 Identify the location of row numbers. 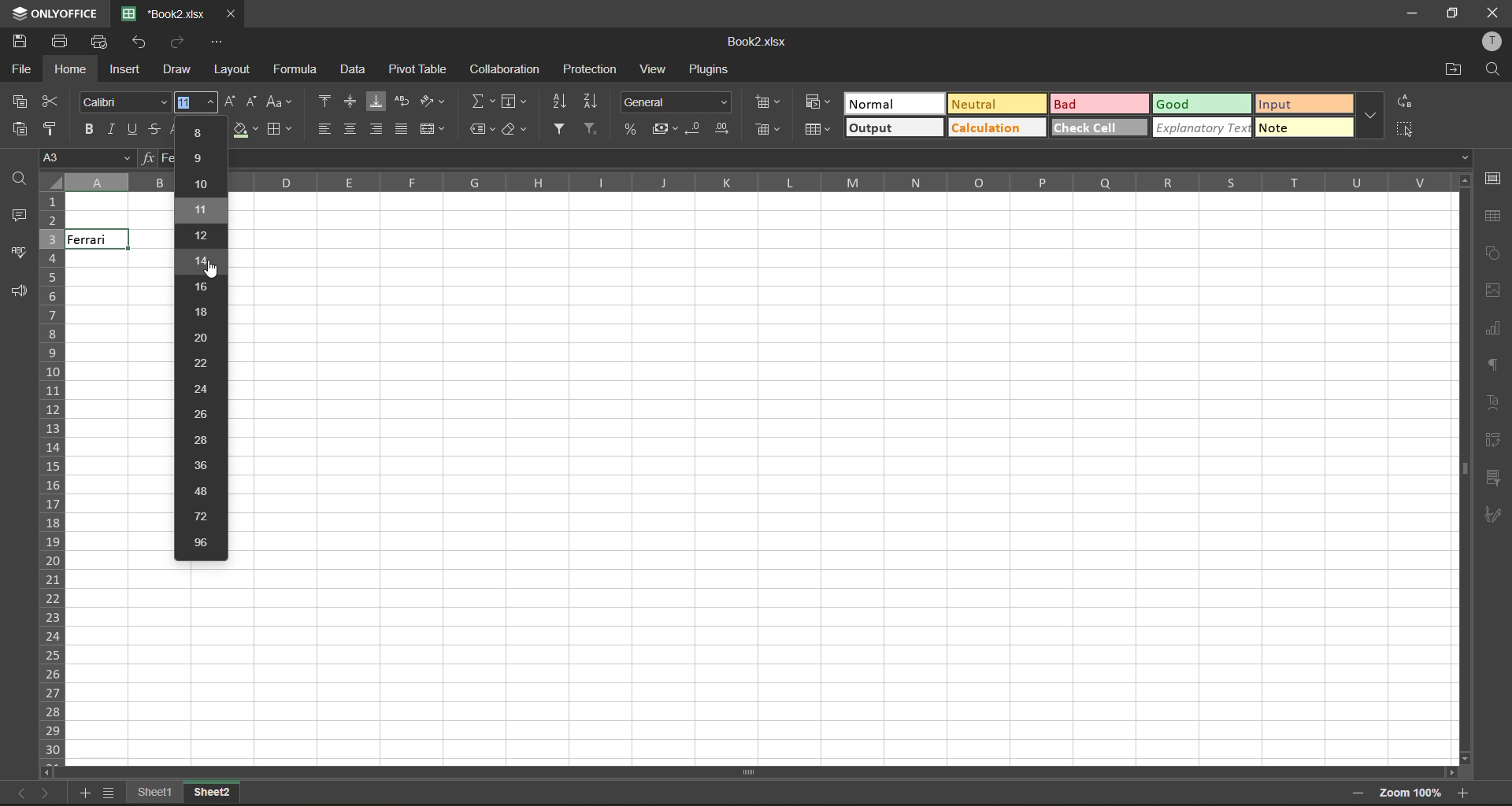
(52, 479).